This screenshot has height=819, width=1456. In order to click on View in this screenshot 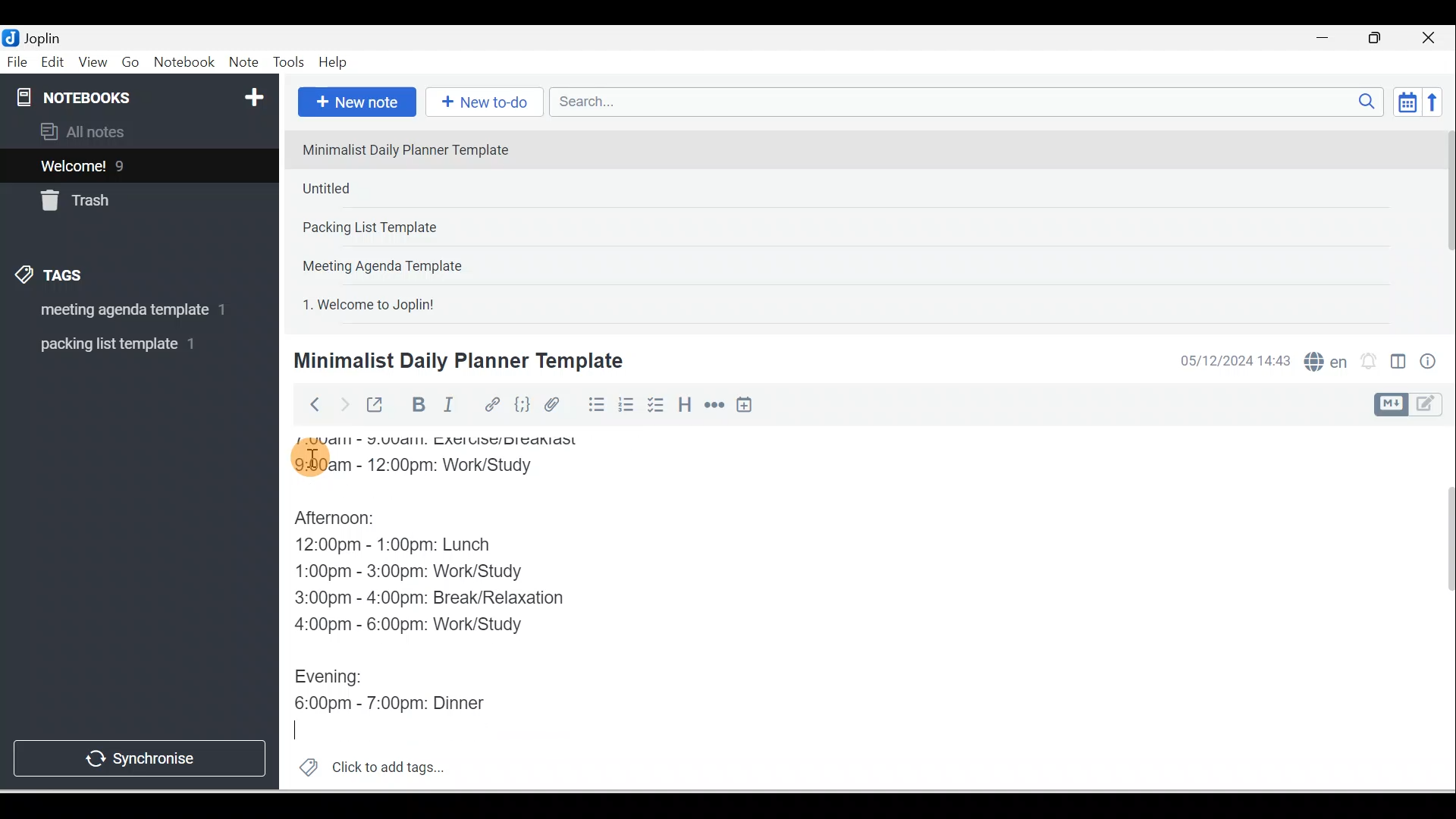, I will do `click(93, 63)`.